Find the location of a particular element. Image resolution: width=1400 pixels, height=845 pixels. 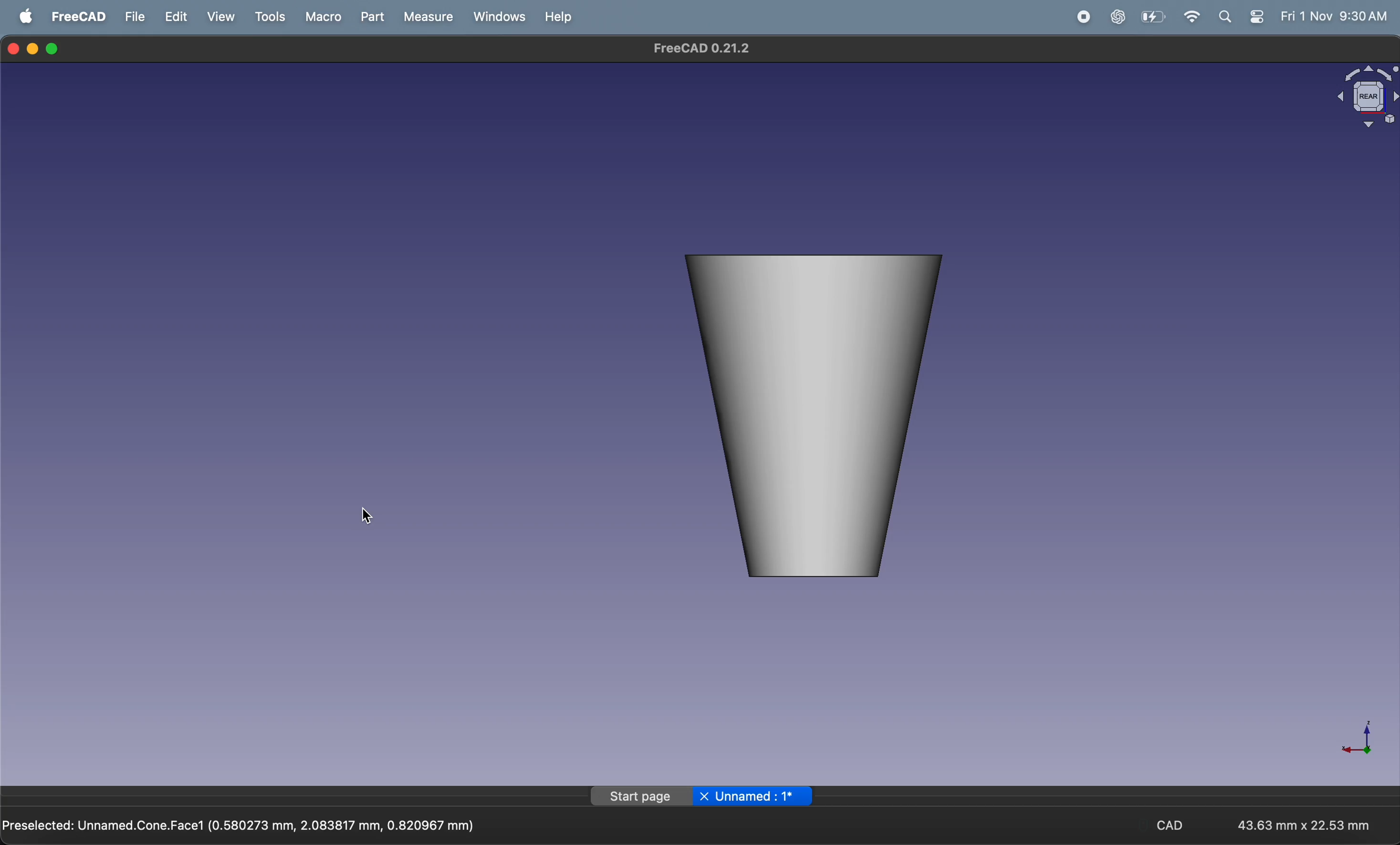

apple widget is located at coordinates (1259, 16).